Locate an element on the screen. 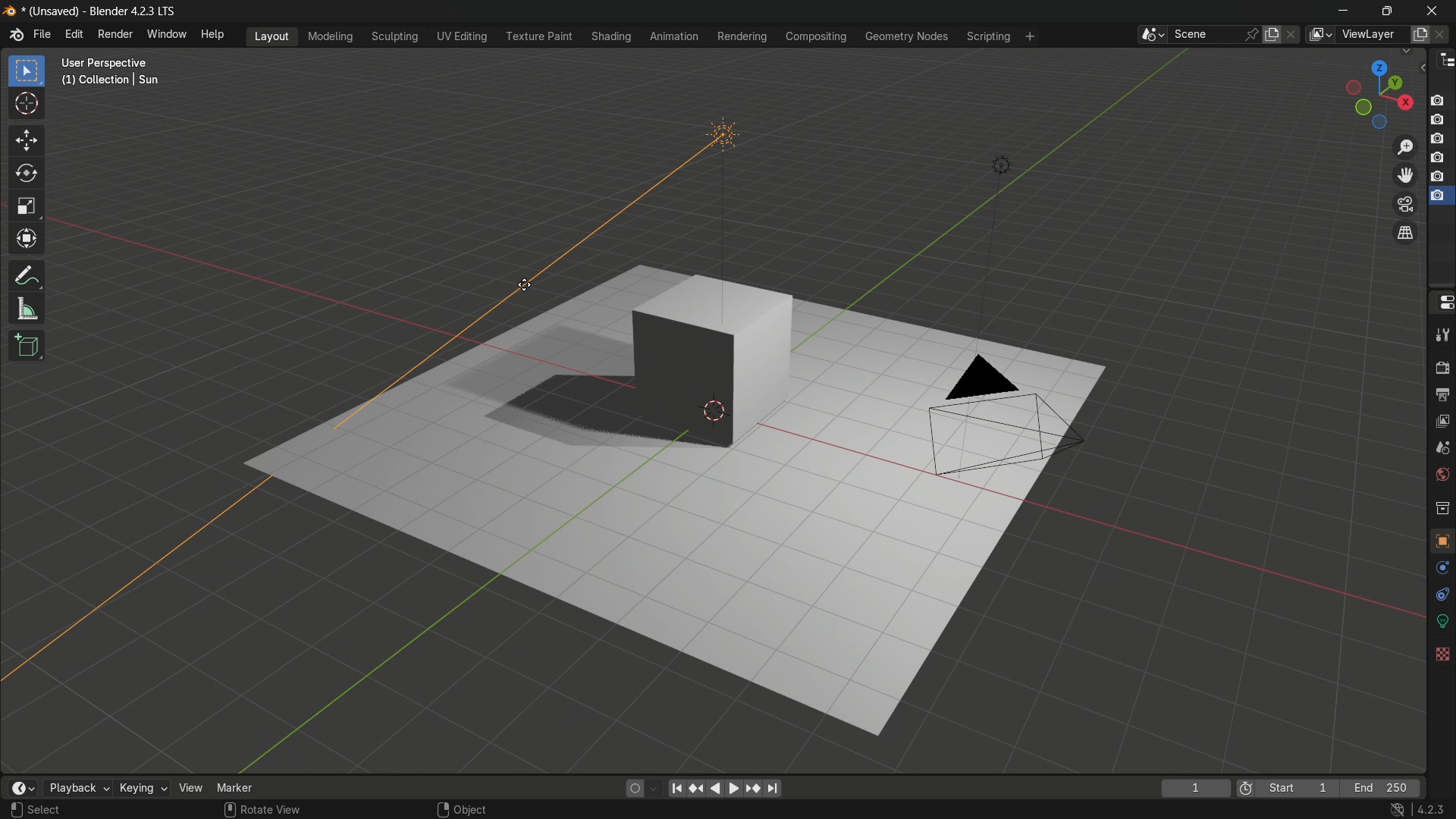 This screenshot has width=1456, height=819. new scene is located at coordinates (1272, 33).